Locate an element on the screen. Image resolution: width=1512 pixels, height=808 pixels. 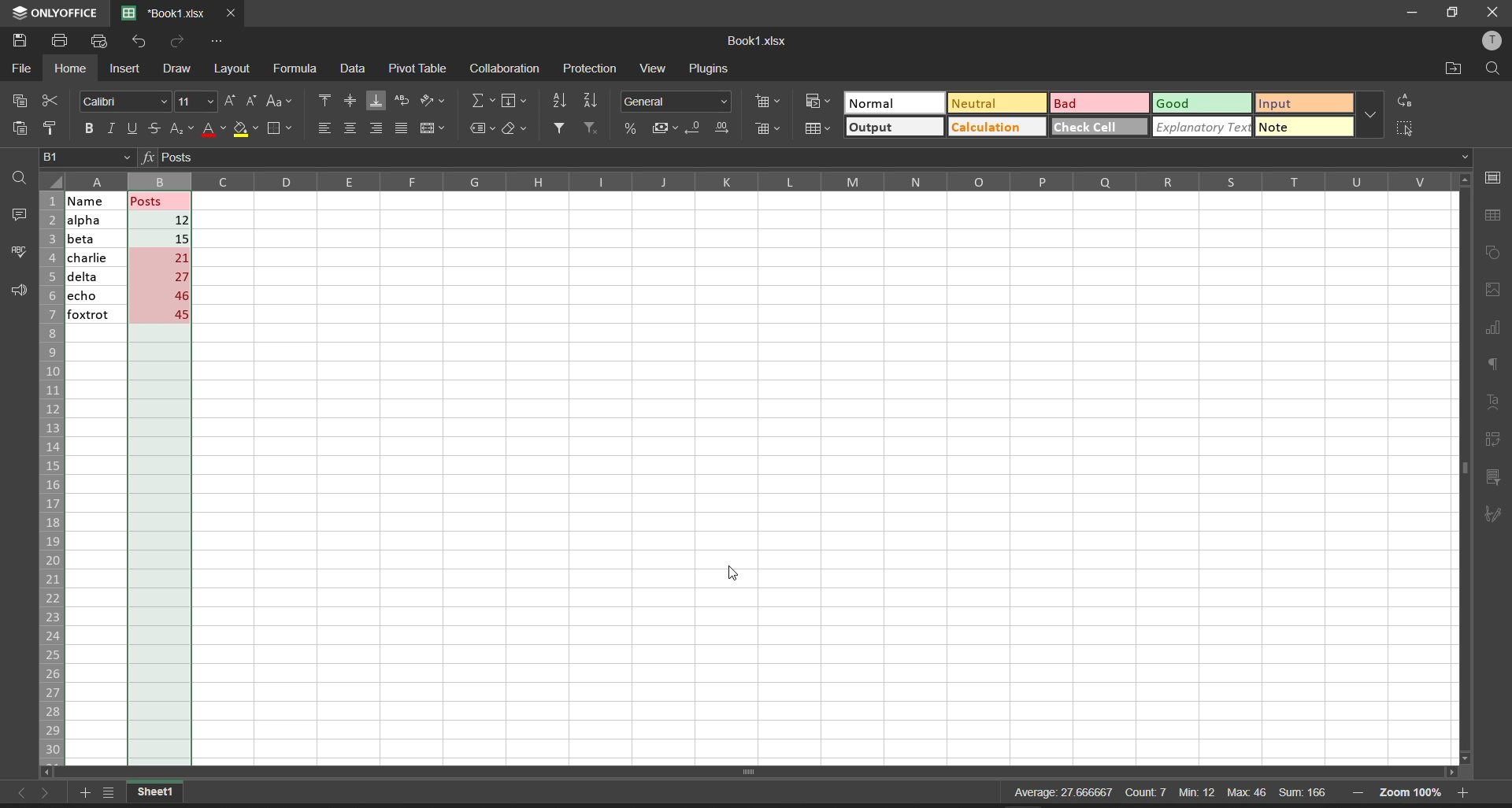
insert cells is located at coordinates (770, 101).